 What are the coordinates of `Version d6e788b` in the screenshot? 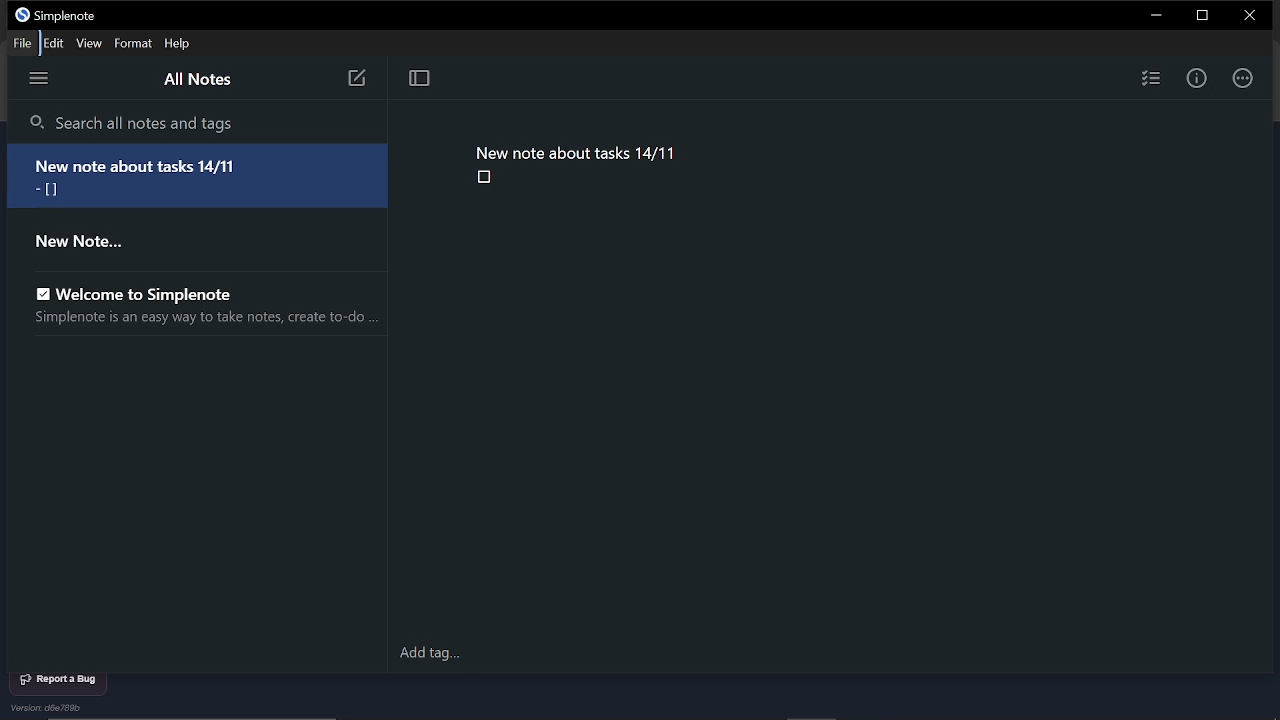 It's located at (51, 708).